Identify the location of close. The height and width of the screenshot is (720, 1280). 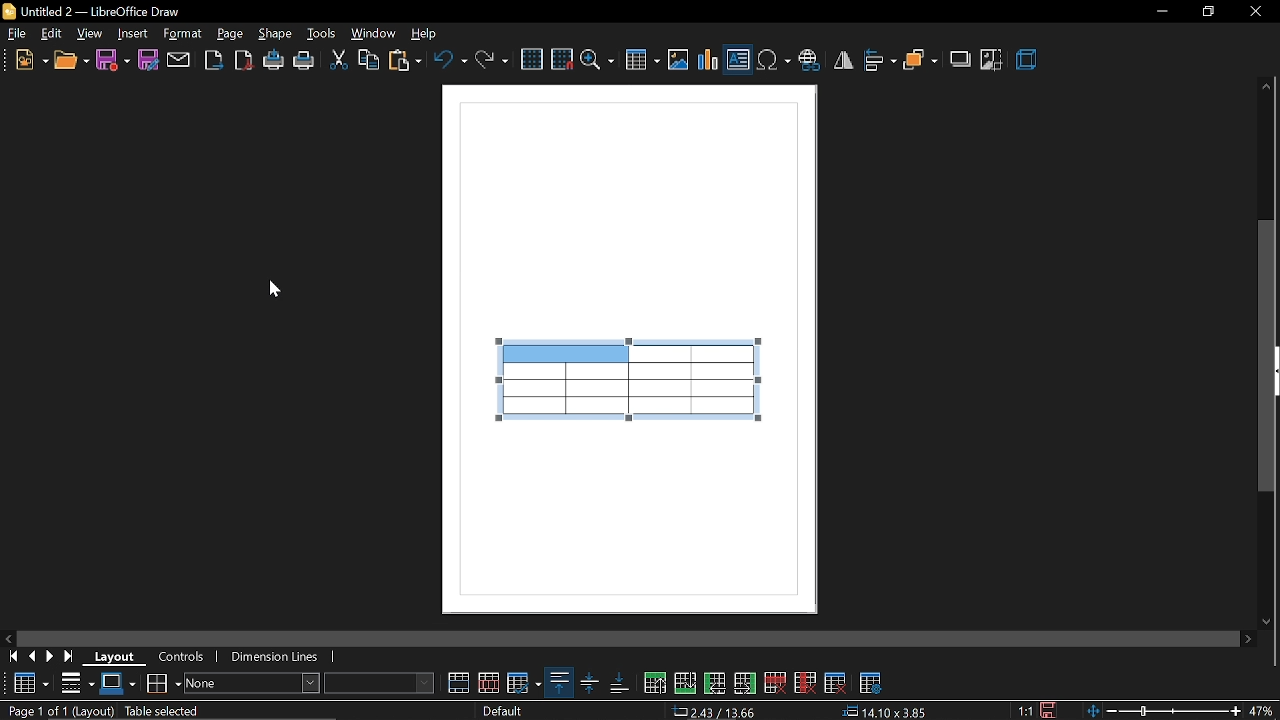
(1254, 14).